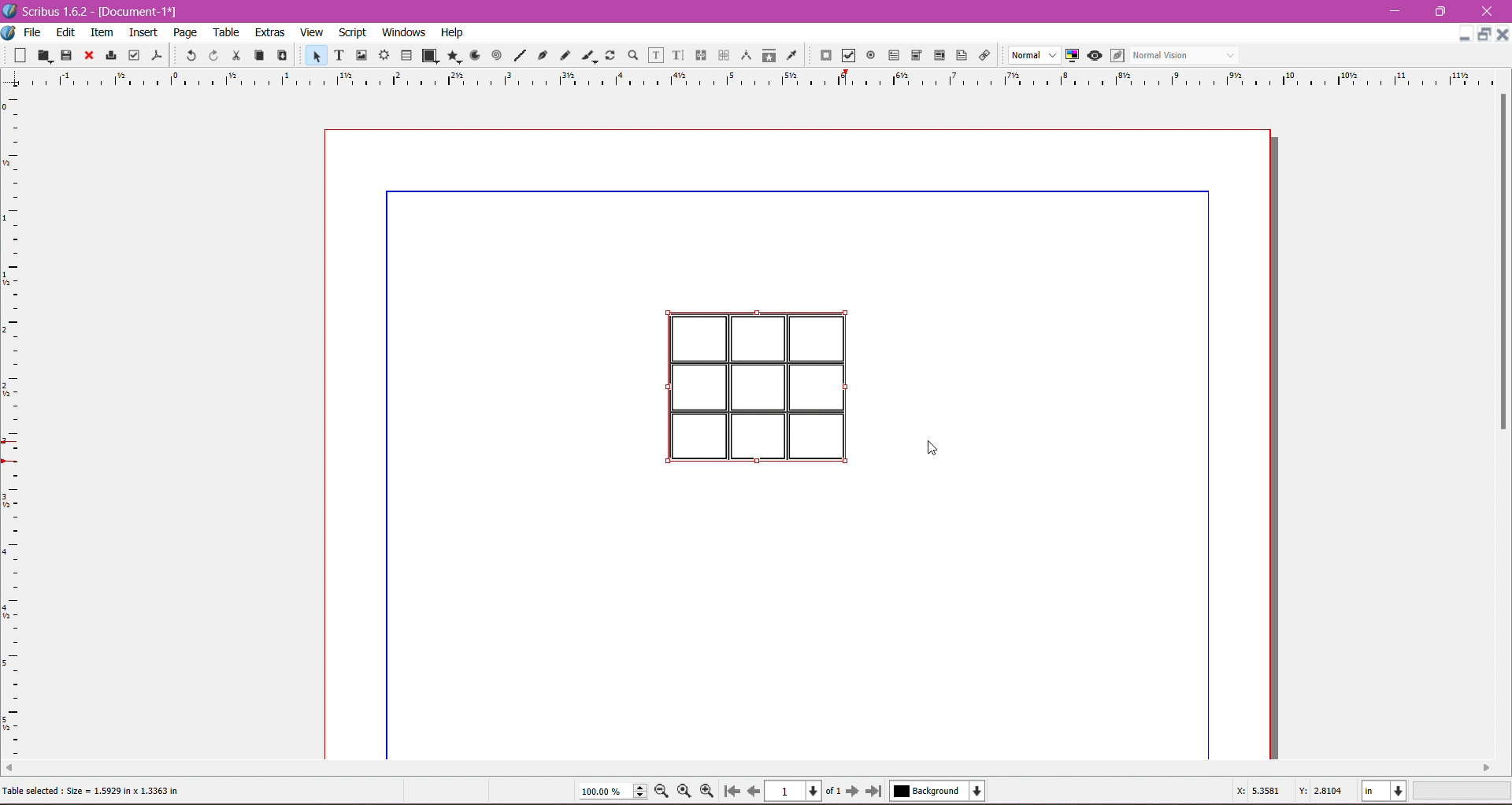  Describe the element at coordinates (495, 54) in the screenshot. I see `Spiral` at that location.